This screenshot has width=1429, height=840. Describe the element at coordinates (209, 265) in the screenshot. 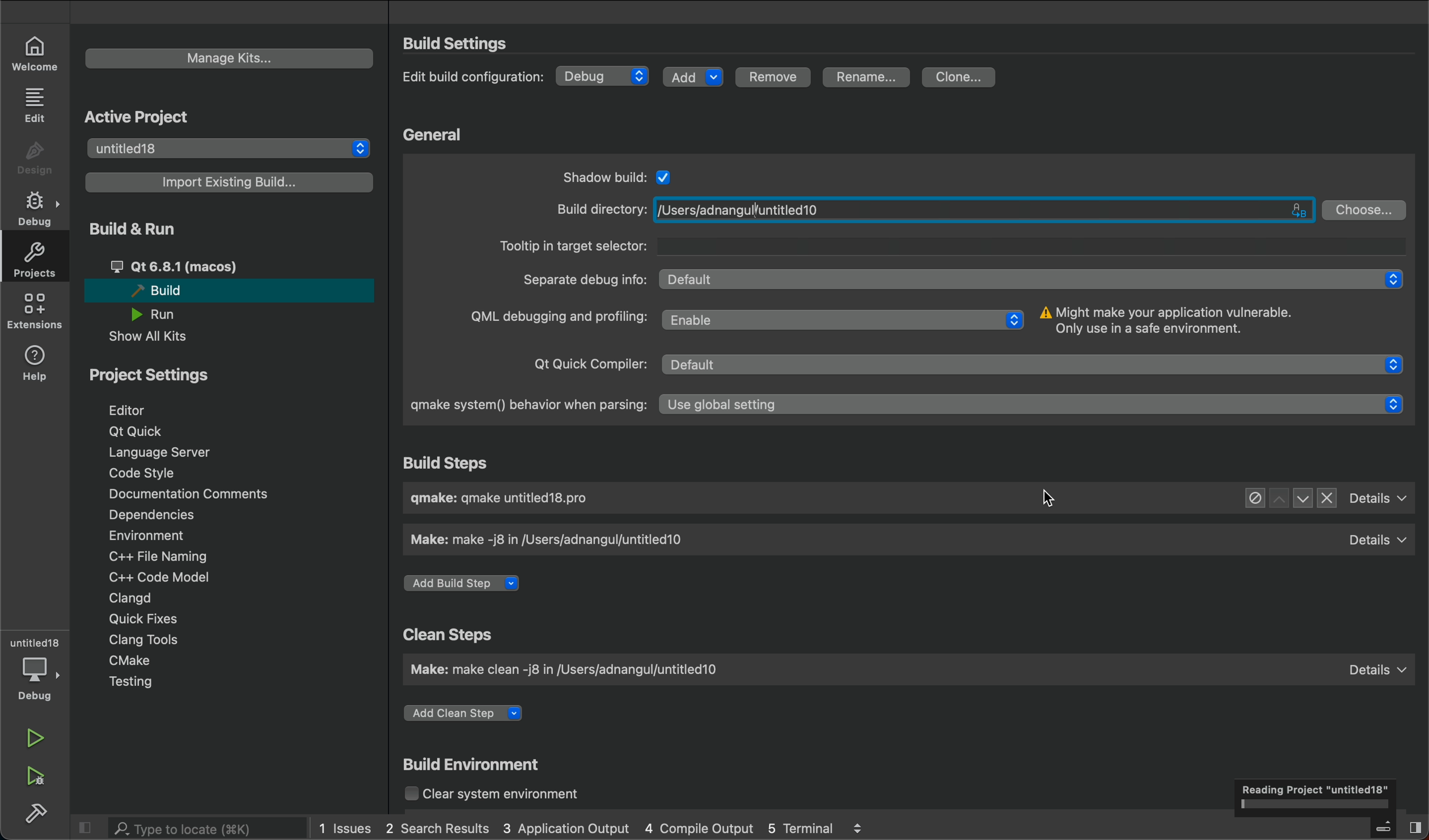

I see `qt 6.8.1 (macos)` at that location.